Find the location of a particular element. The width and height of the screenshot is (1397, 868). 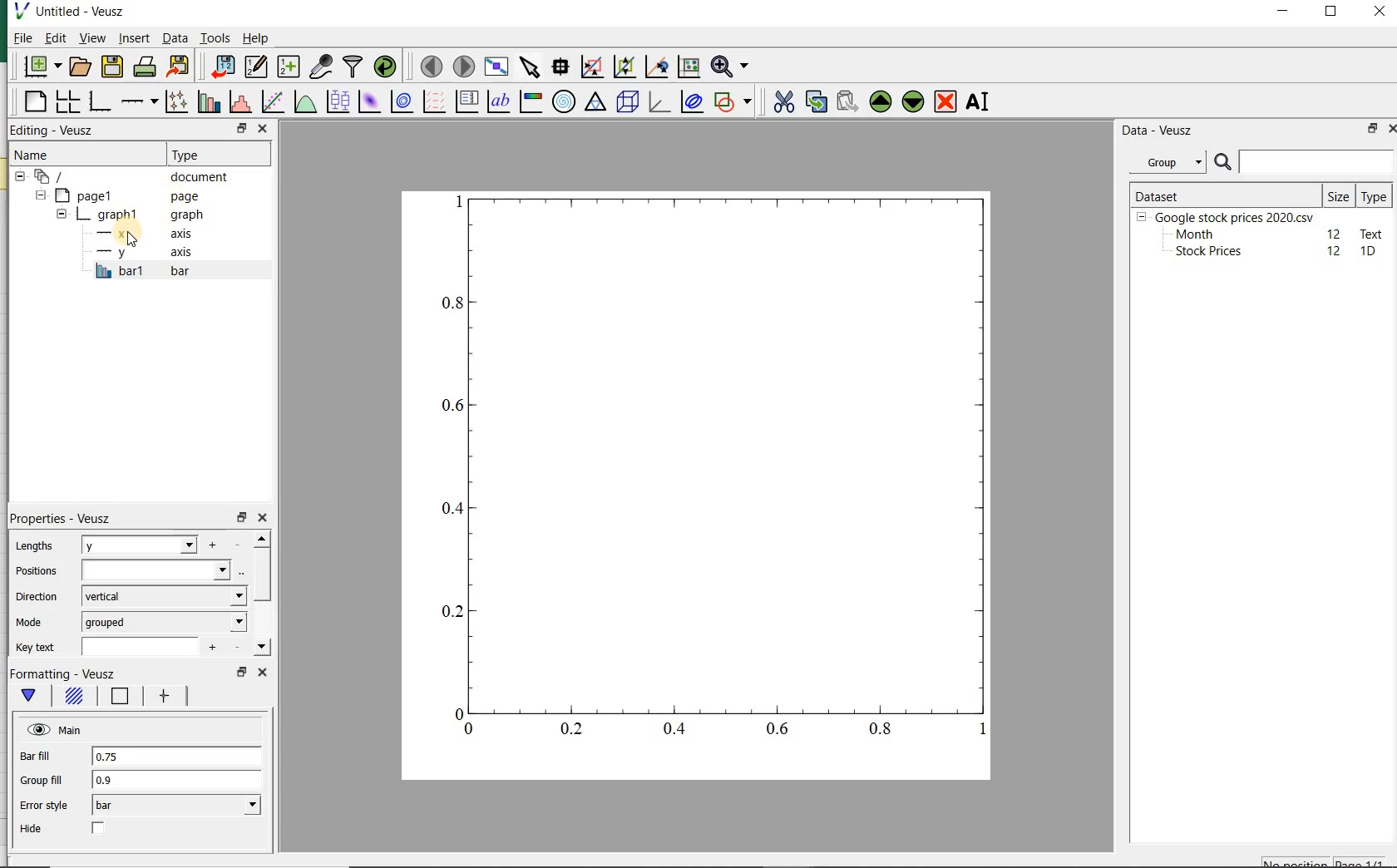

move the selected widget up is located at coordinates (881, 101).